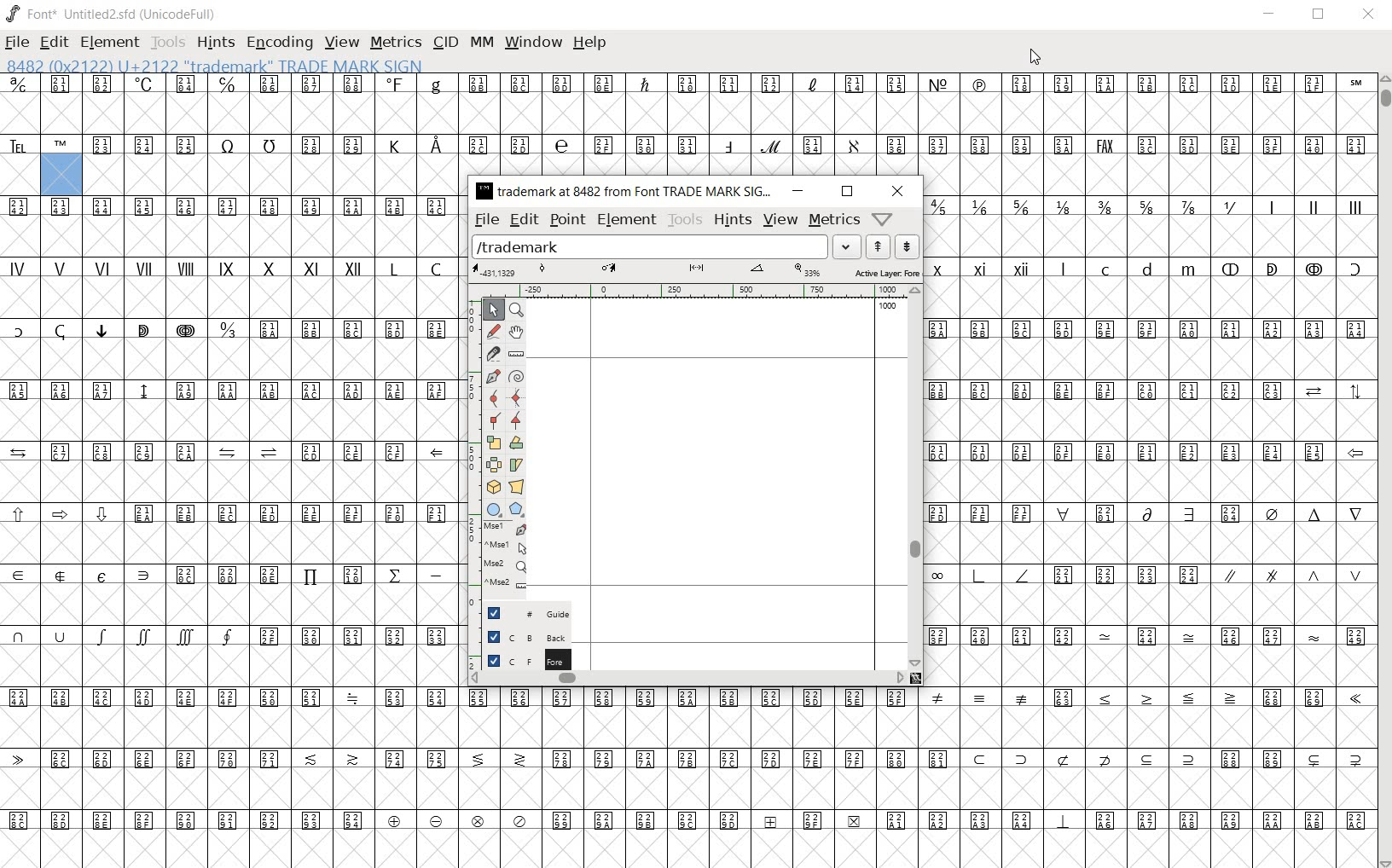 This screenshot has width=1392, height=868. Describe the element at coordinates (111, 44) in the screenshot. I see `ELEMENT` at that location.